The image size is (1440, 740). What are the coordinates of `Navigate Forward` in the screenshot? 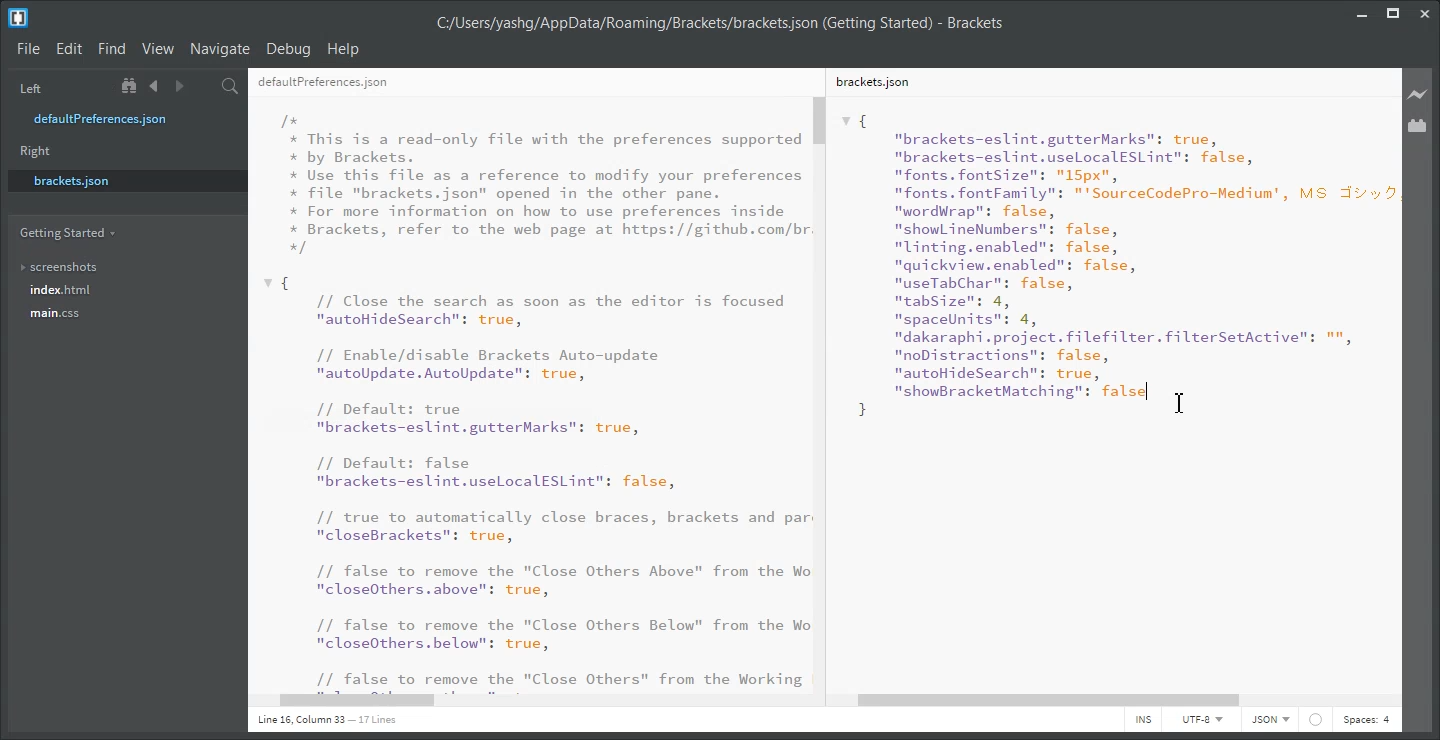 It's located at (179, 86).